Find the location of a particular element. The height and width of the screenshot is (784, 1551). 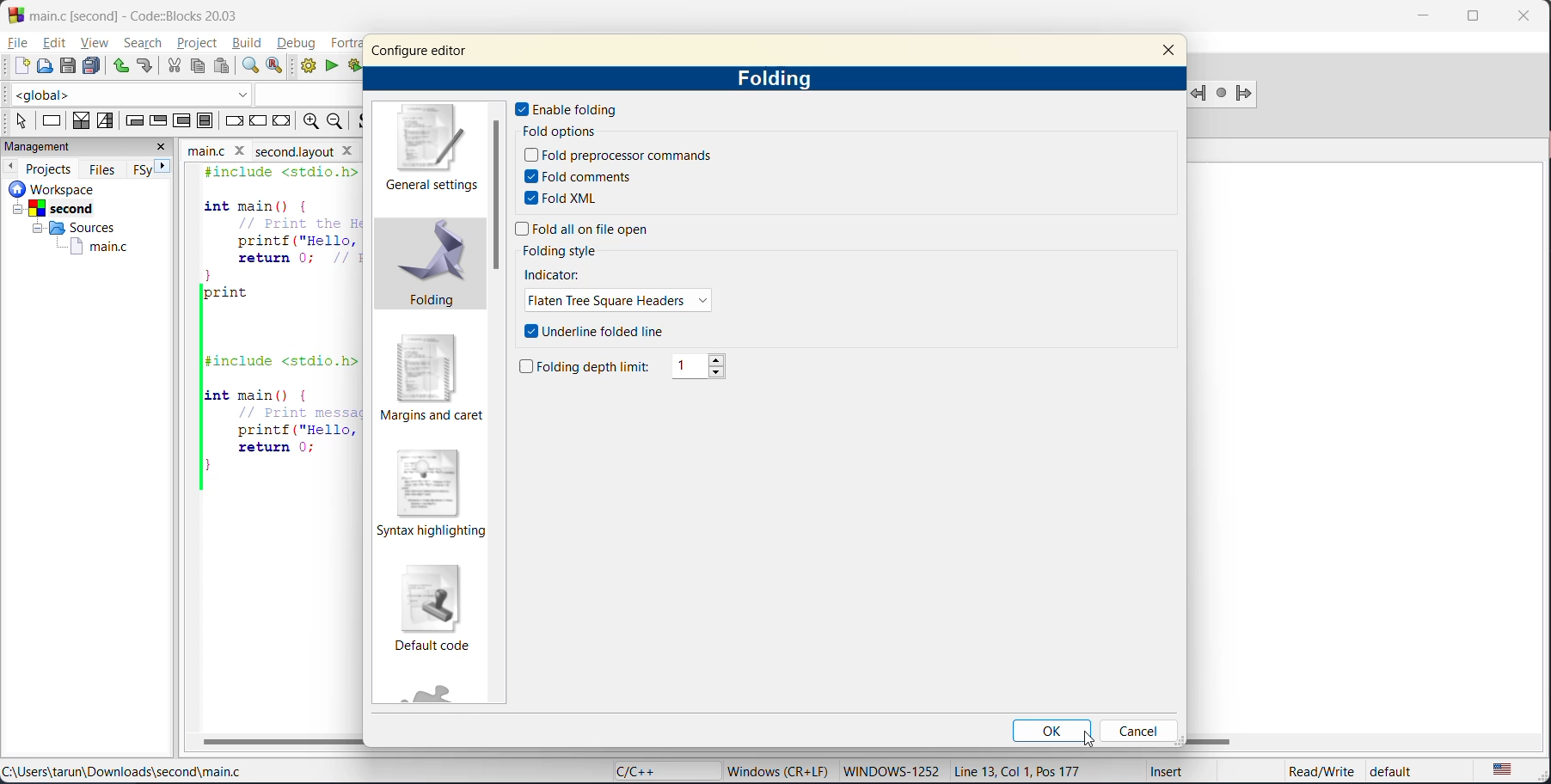

view is located at coordinates (95, 42).